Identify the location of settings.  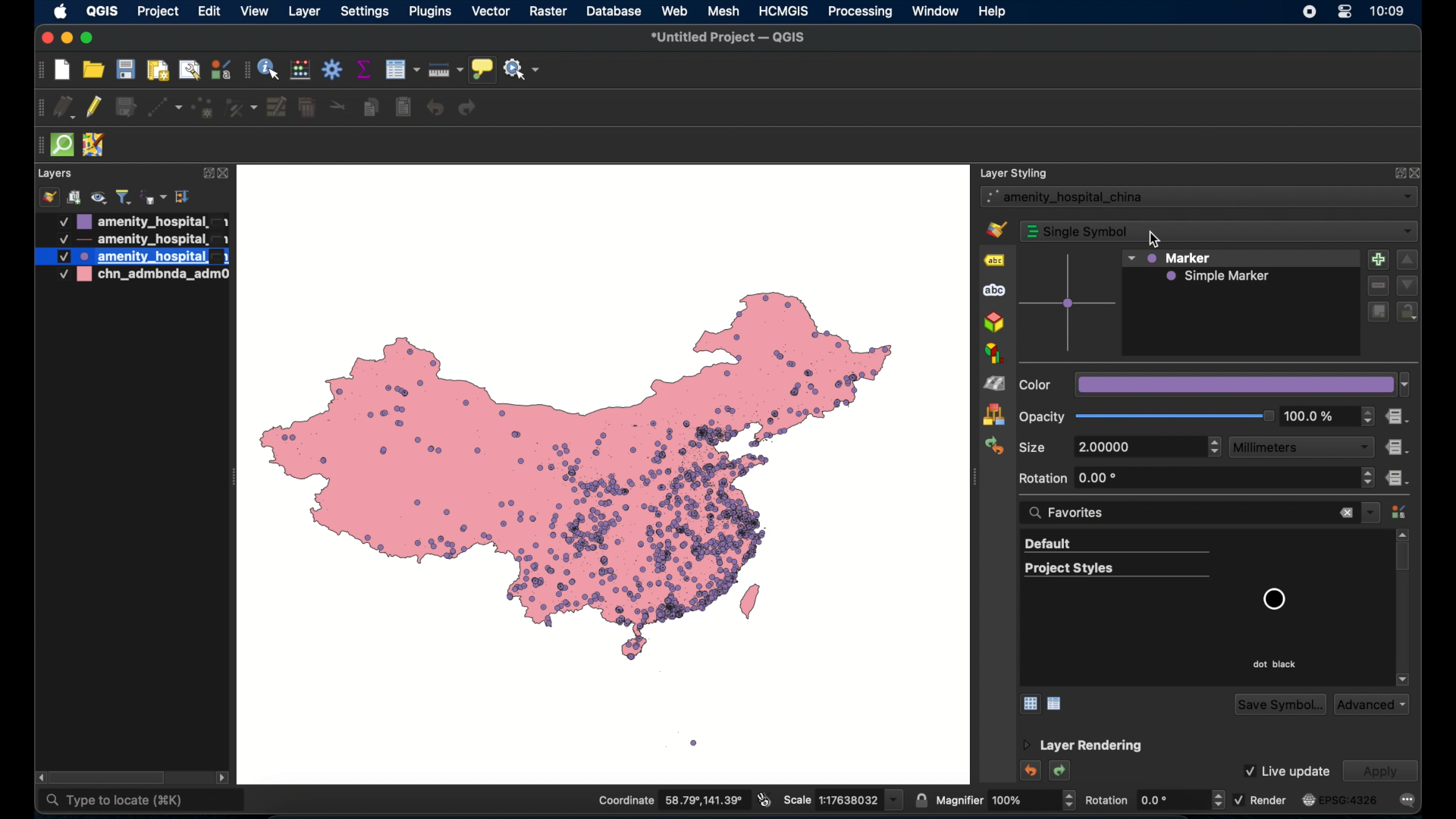
(366, 12).